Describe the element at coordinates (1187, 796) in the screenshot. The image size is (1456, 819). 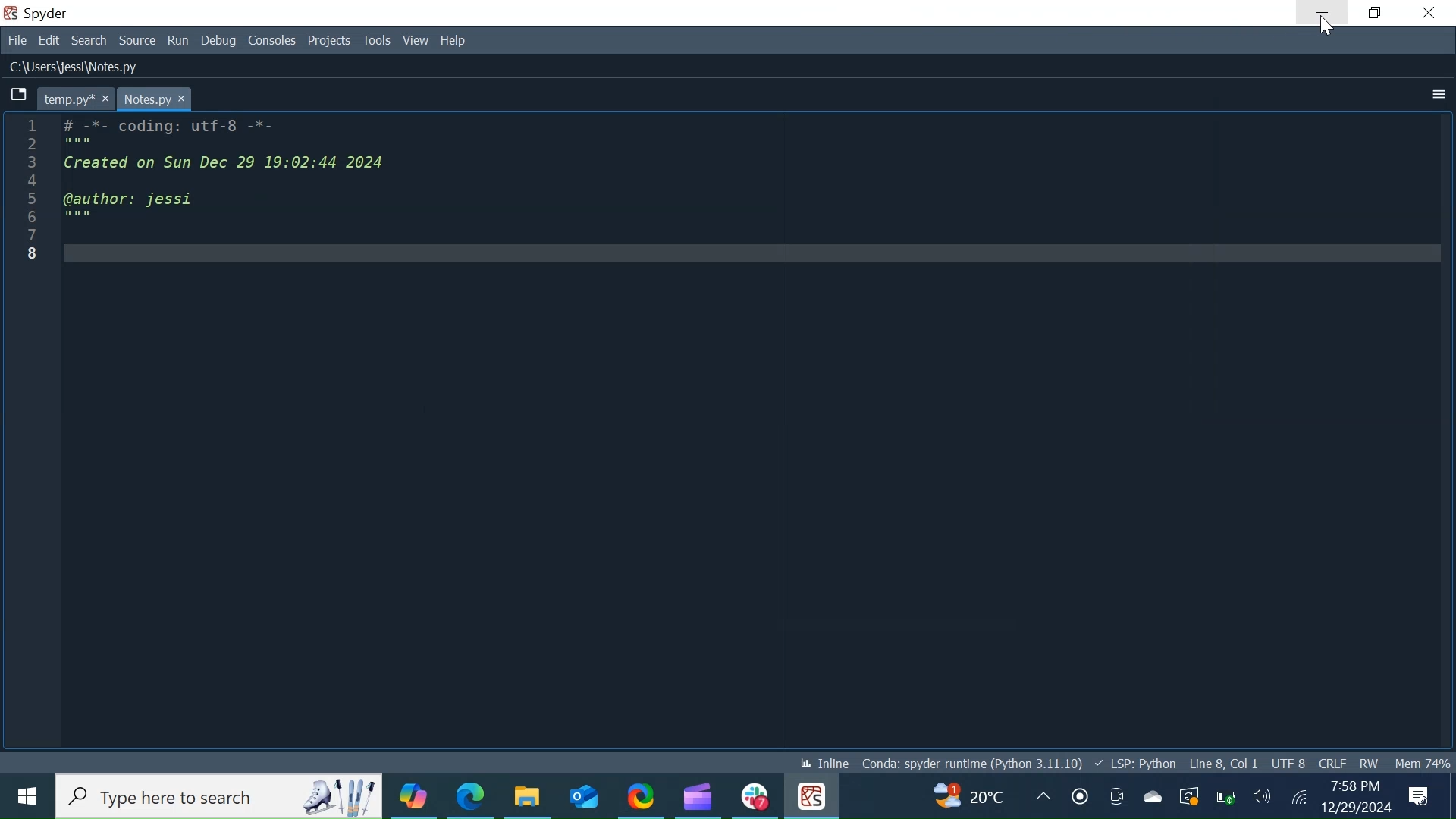
I see `Restart Update` at that location.